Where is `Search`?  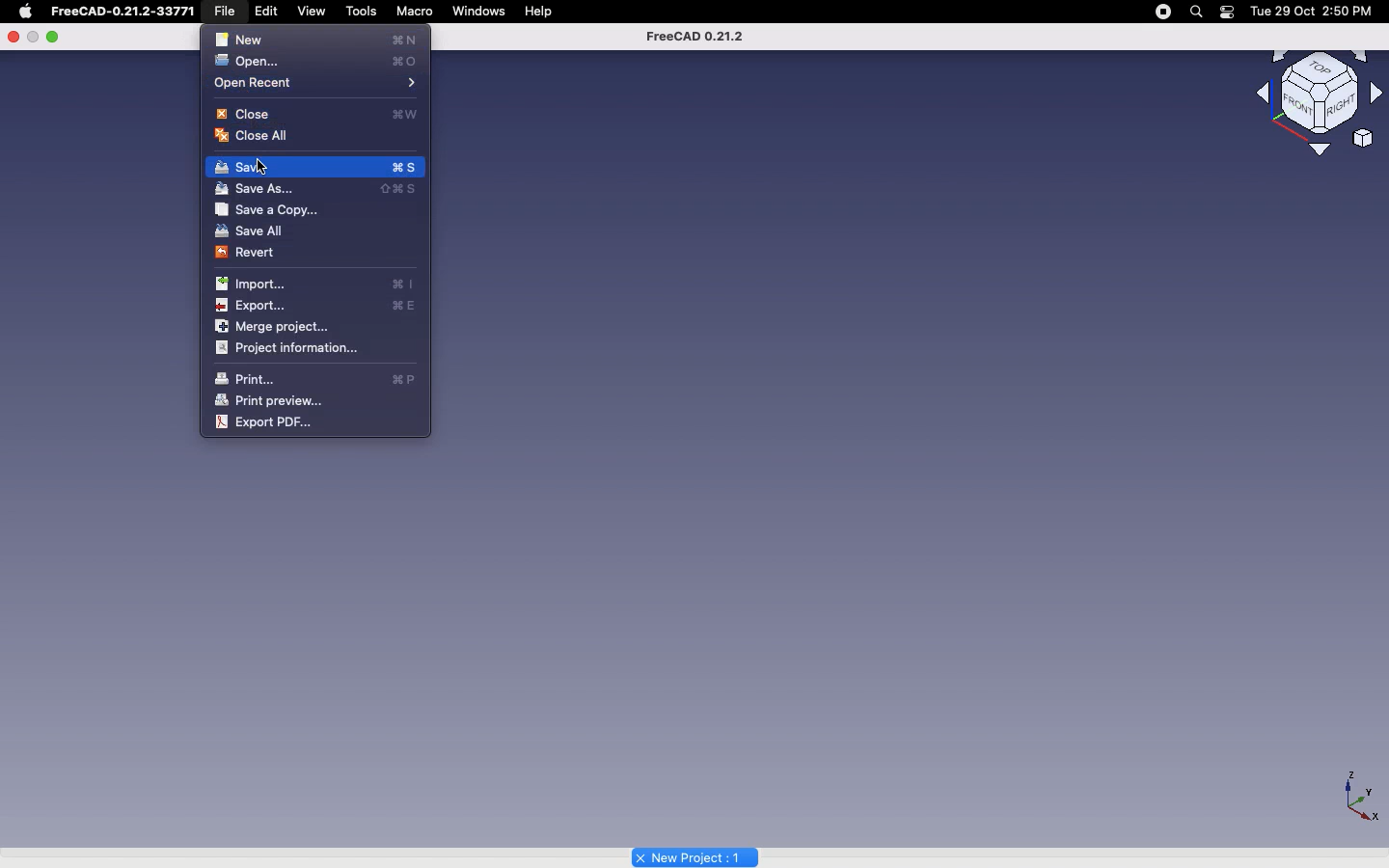 Search is located at coordinates (1197, 11).